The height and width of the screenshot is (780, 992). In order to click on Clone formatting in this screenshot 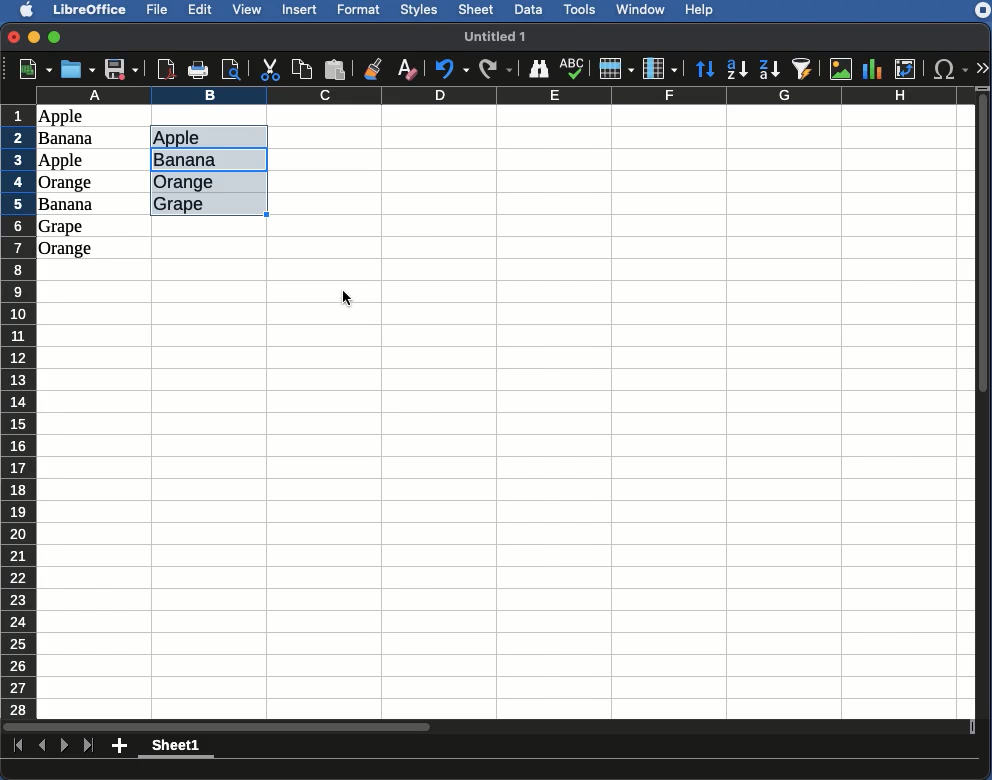, I will do `click(384, 69)`.